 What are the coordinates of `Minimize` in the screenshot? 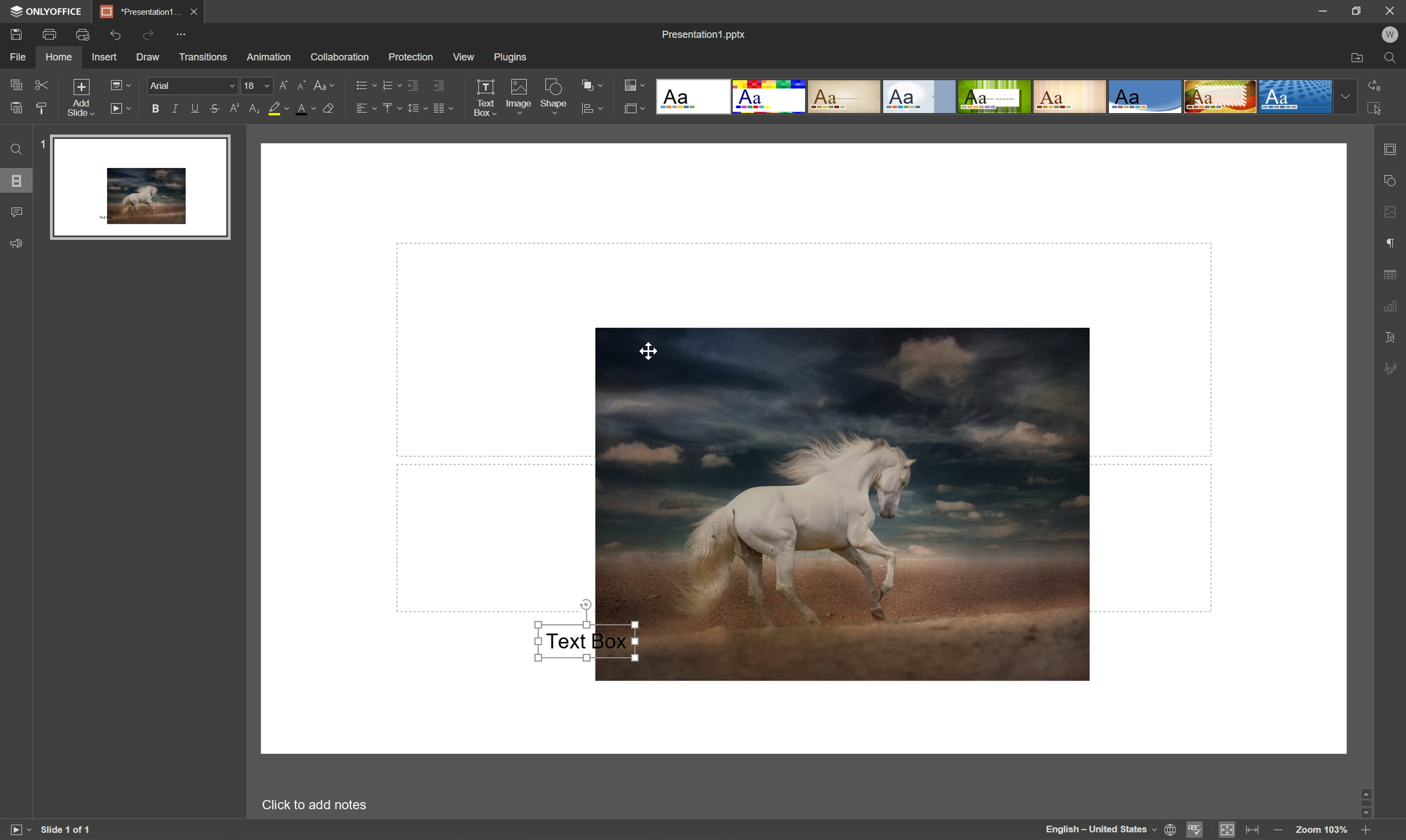 It's located at (1315, 10).